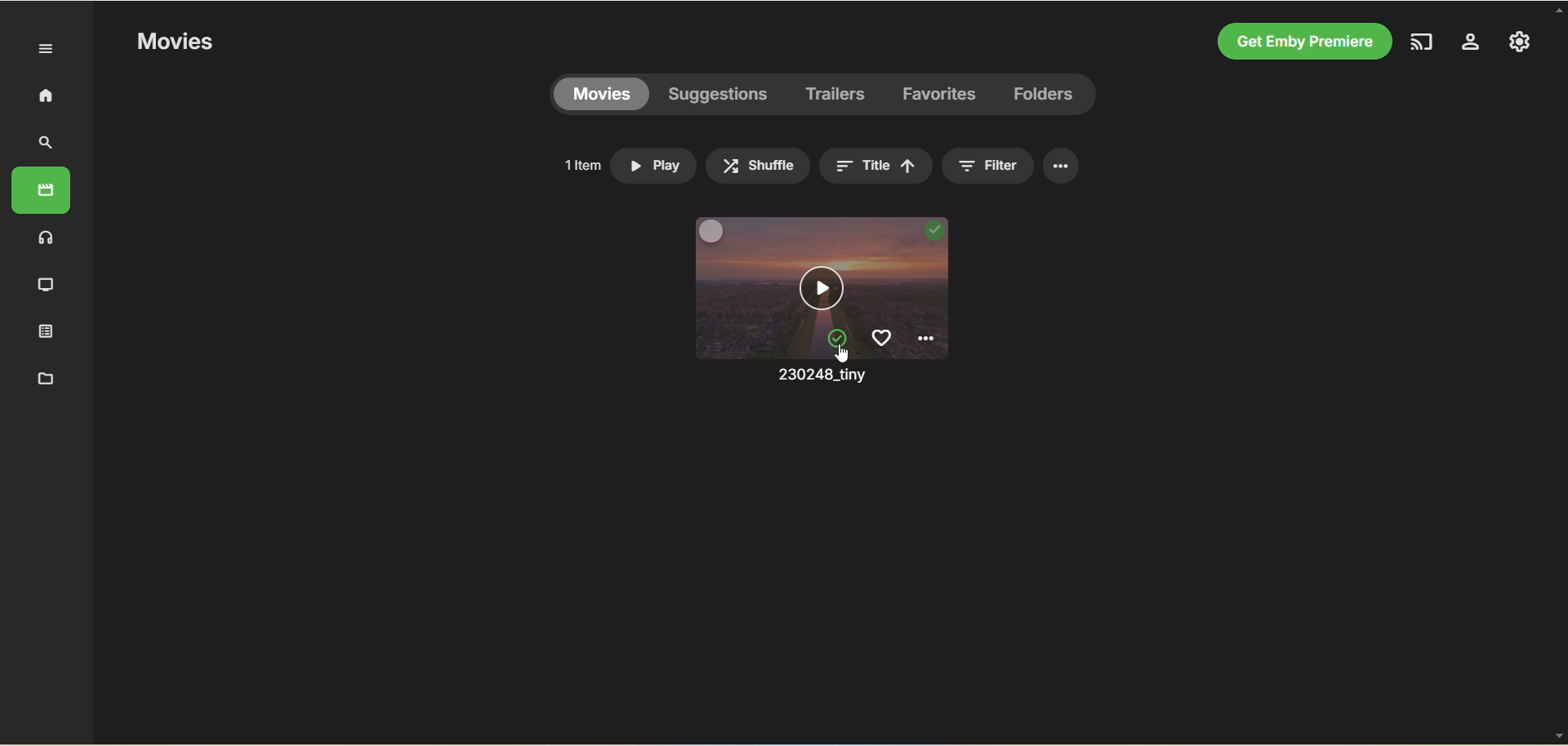 This screenshot has height=746, width=1568. I want to click on playlist, so click(42, 332).